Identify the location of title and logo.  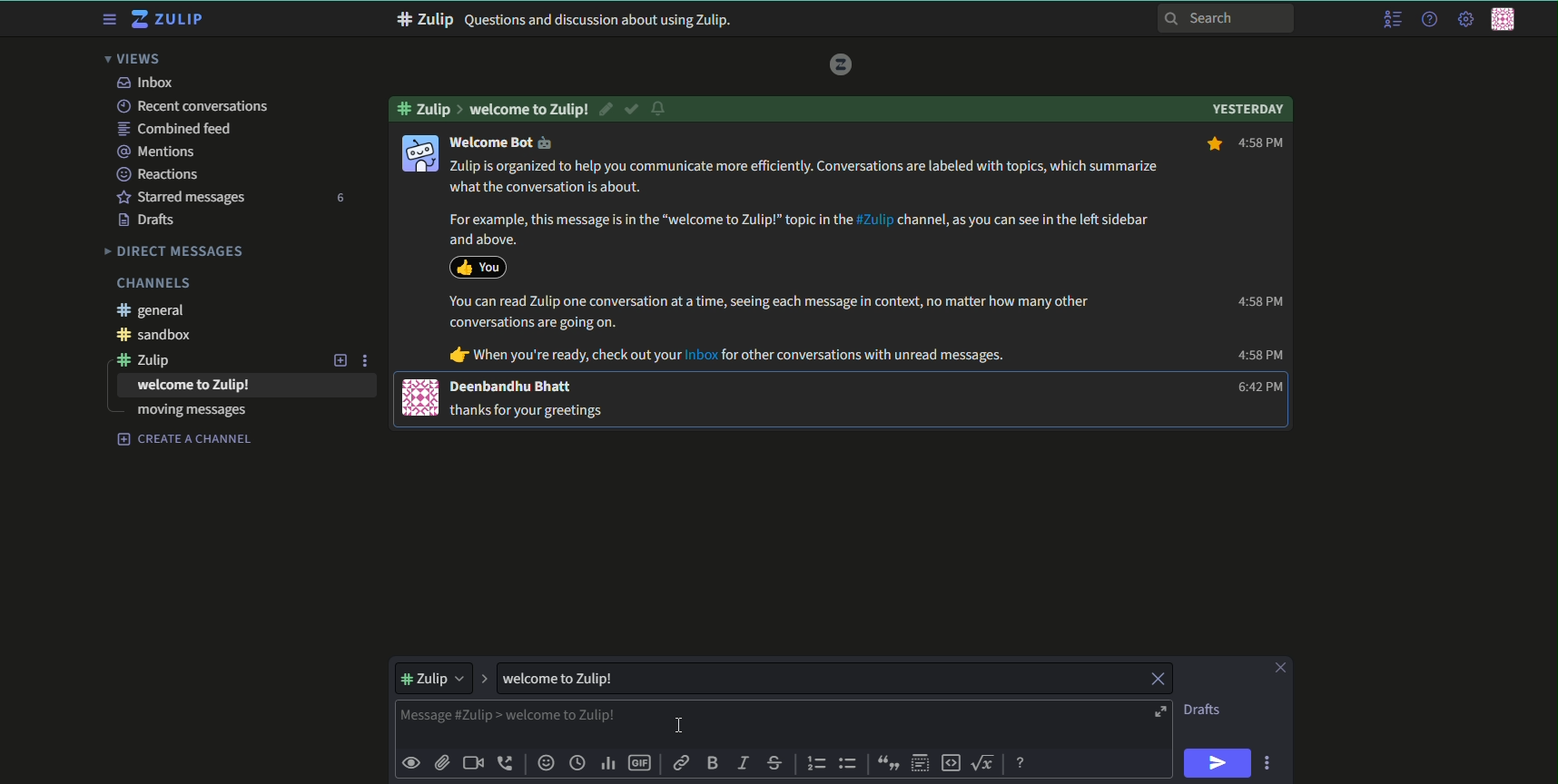
(170, 20).